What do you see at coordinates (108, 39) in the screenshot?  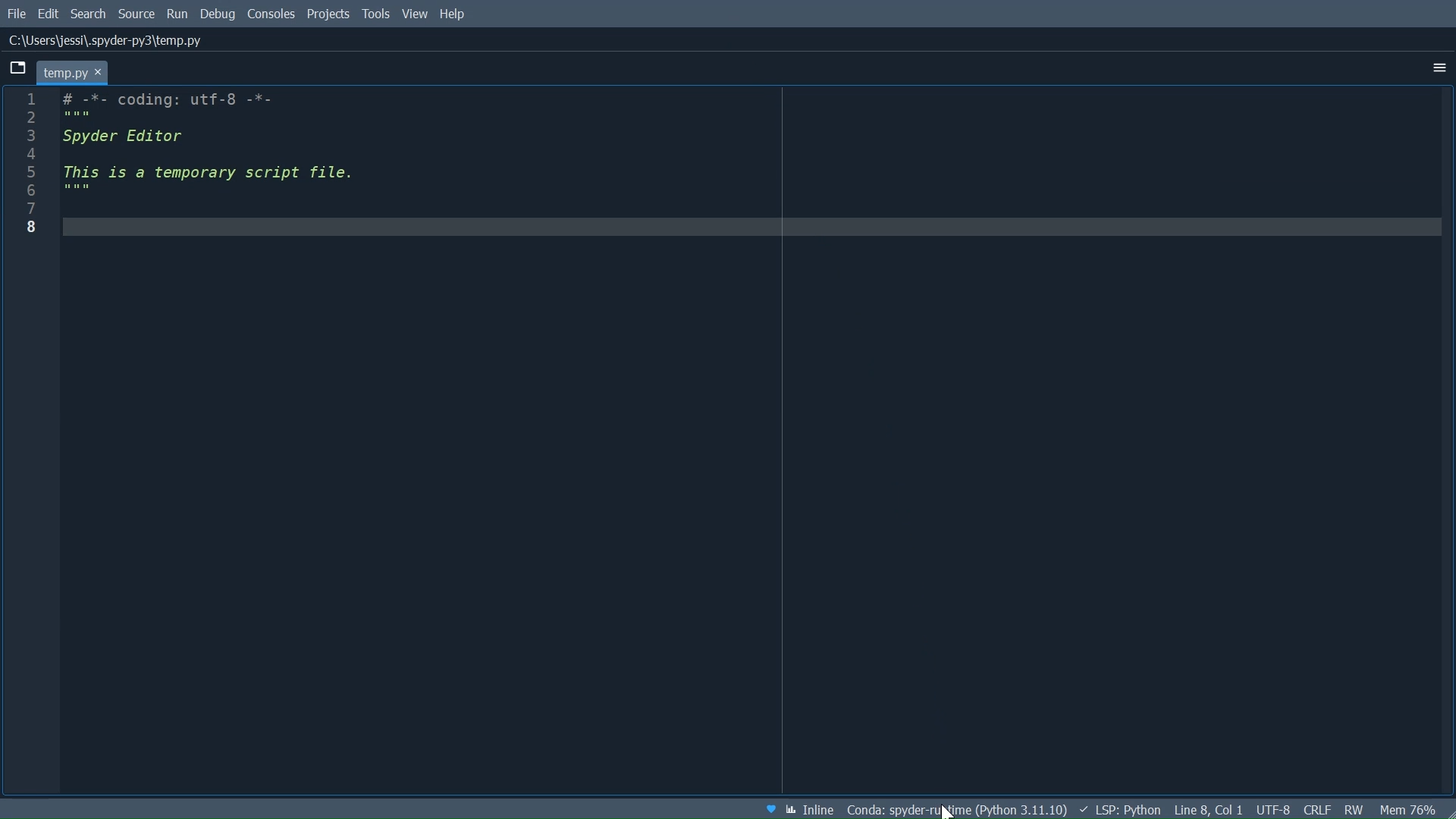 I see `File Path` at bounding box center [108, 39].